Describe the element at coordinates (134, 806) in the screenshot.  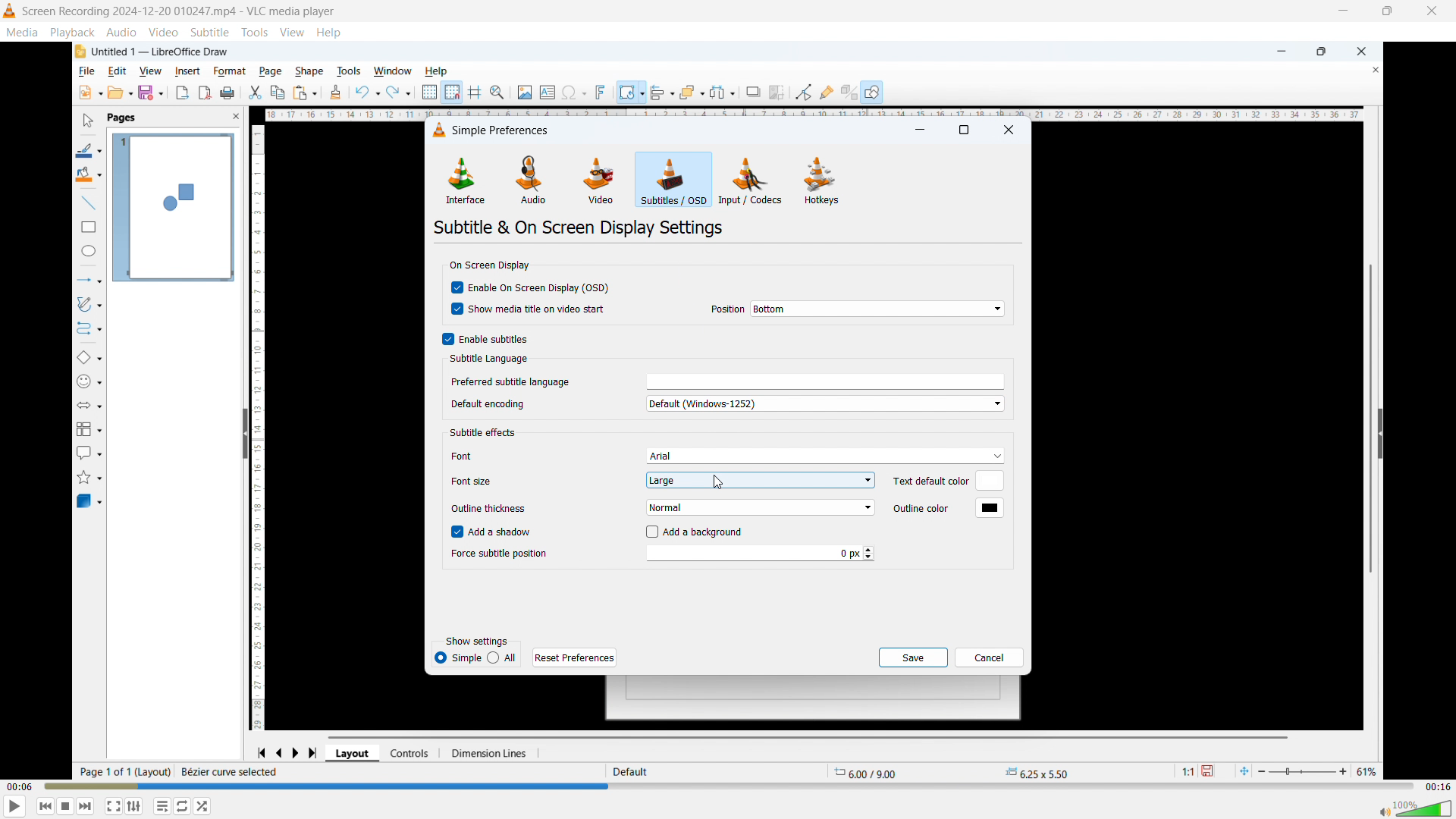
I see `Toggle playlist ` at that location.